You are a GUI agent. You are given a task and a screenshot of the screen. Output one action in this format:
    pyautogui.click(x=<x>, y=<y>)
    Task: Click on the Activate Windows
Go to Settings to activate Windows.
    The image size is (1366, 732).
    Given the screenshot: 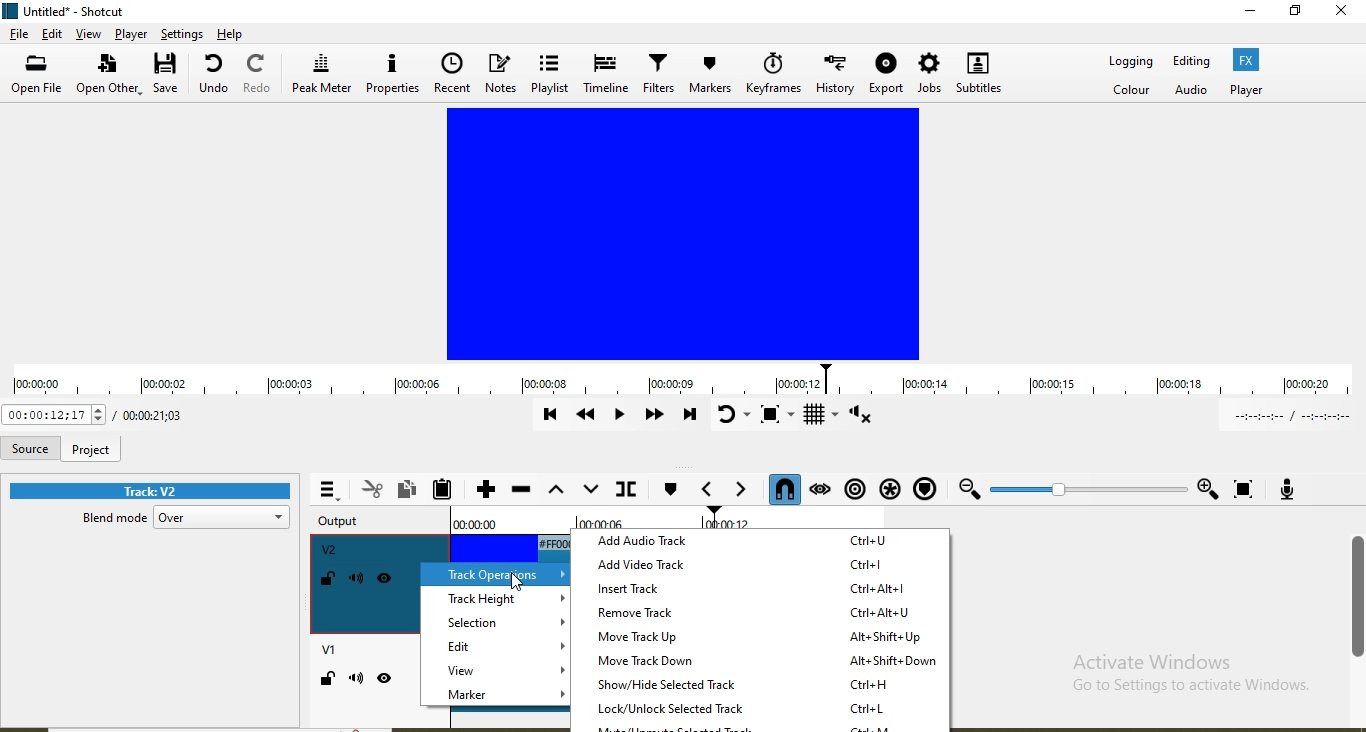 What is the action you would take?
    pyautogui.click(x=1186, y=672)
    